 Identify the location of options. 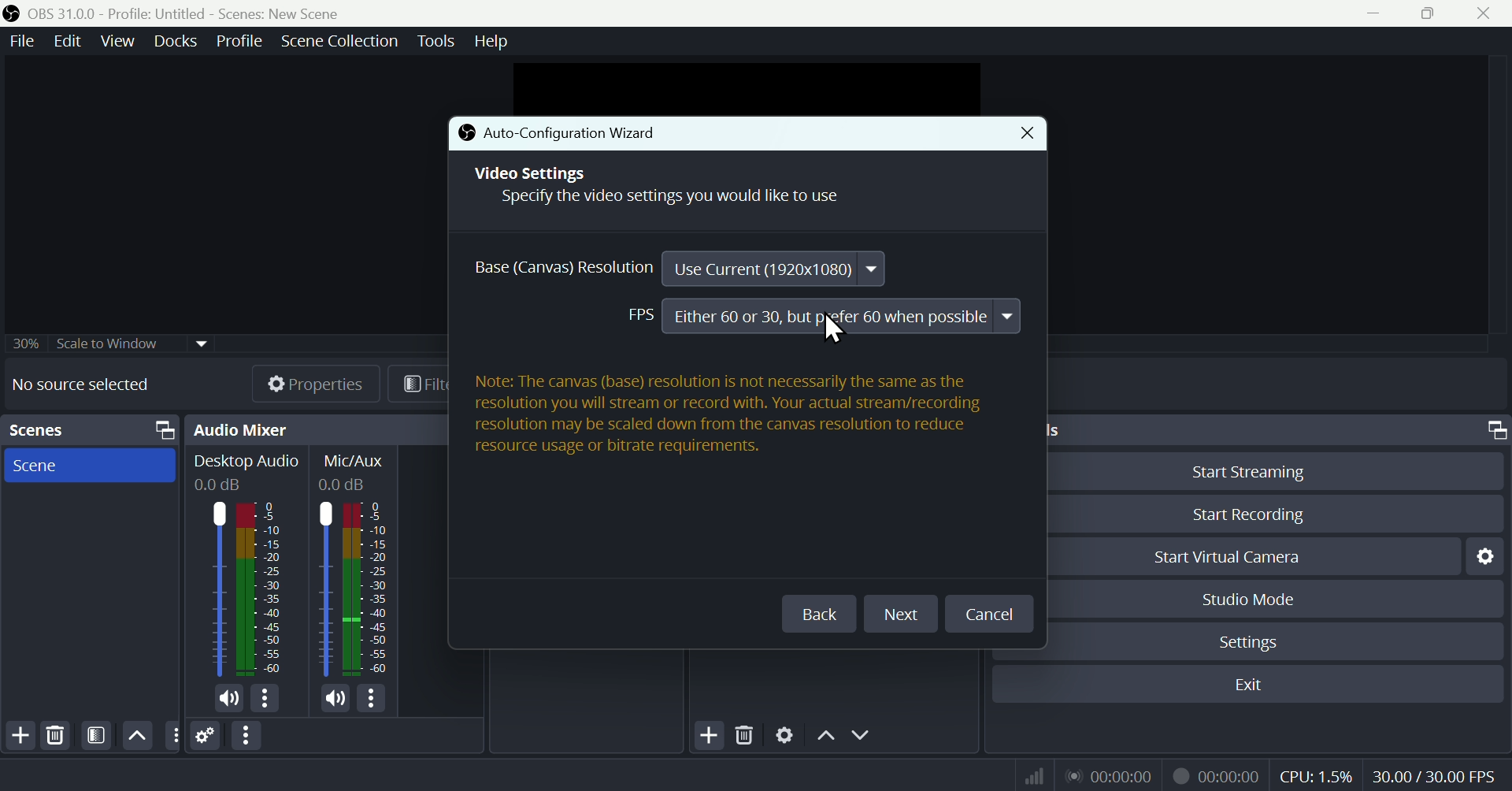
(172, 734).